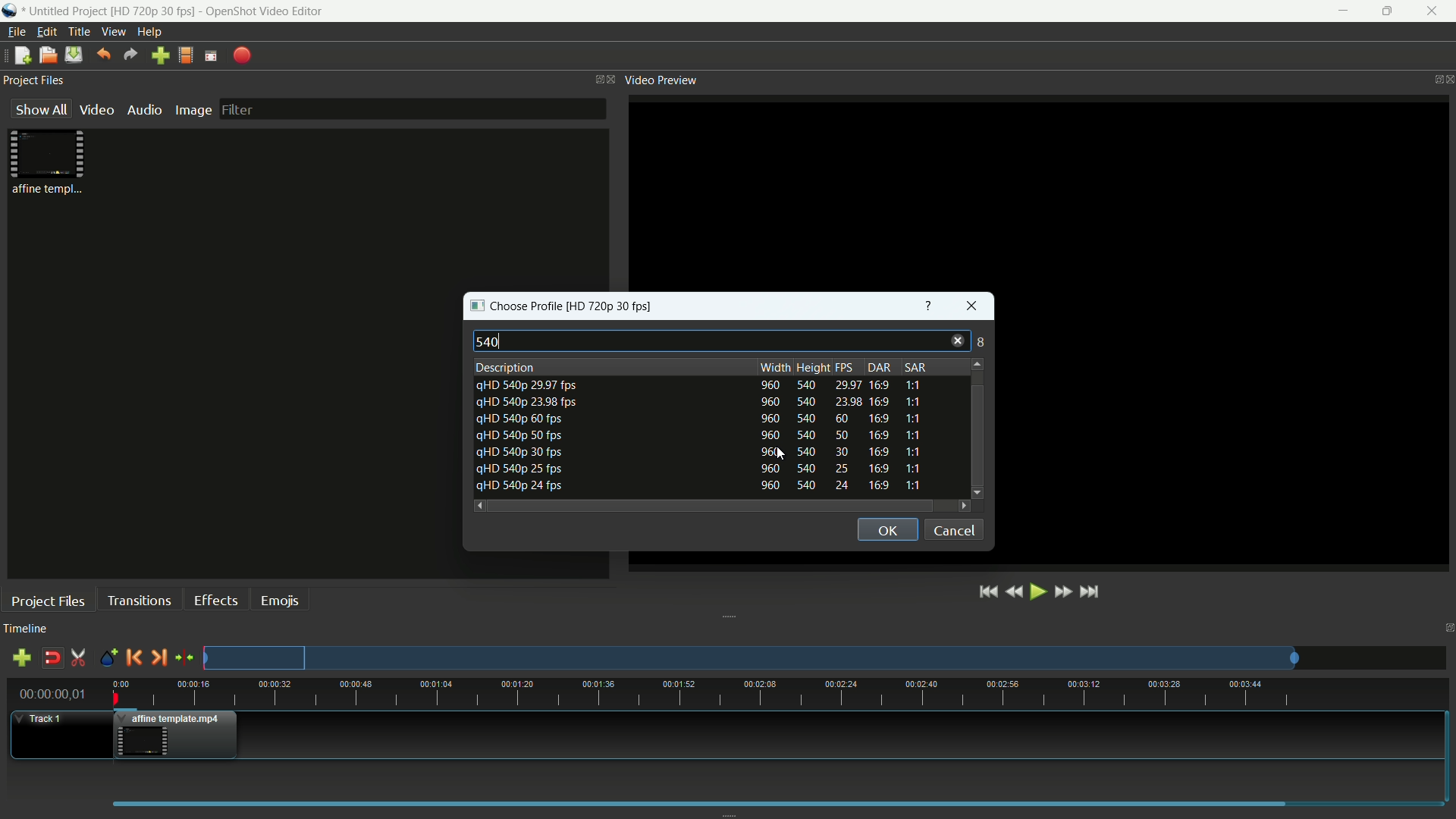 This screenshot has height=819, width=1456. I want to click on video, so click(97, 109).